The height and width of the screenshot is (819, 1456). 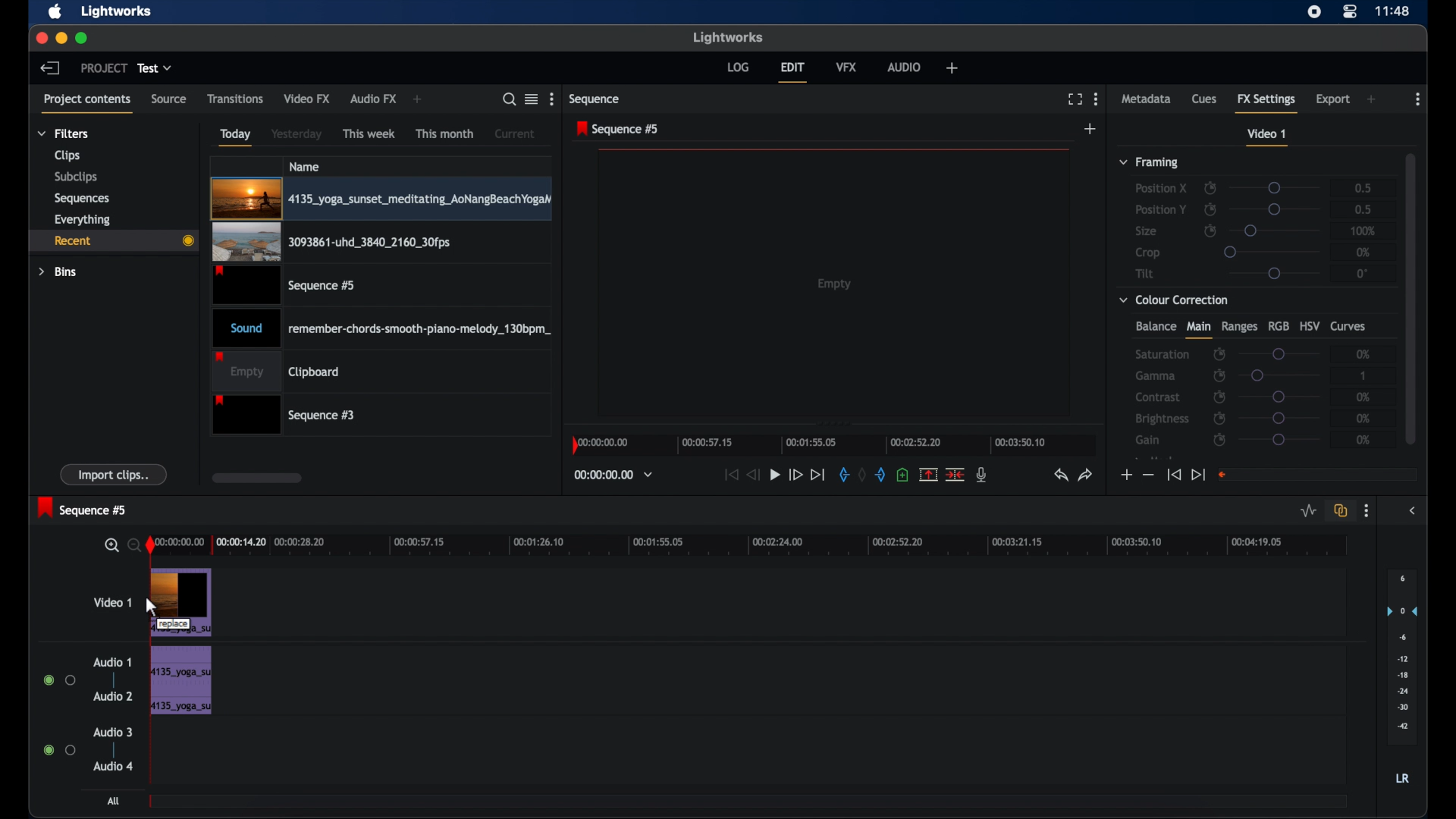 I want to click on slider, so click(x=1284, y=375).